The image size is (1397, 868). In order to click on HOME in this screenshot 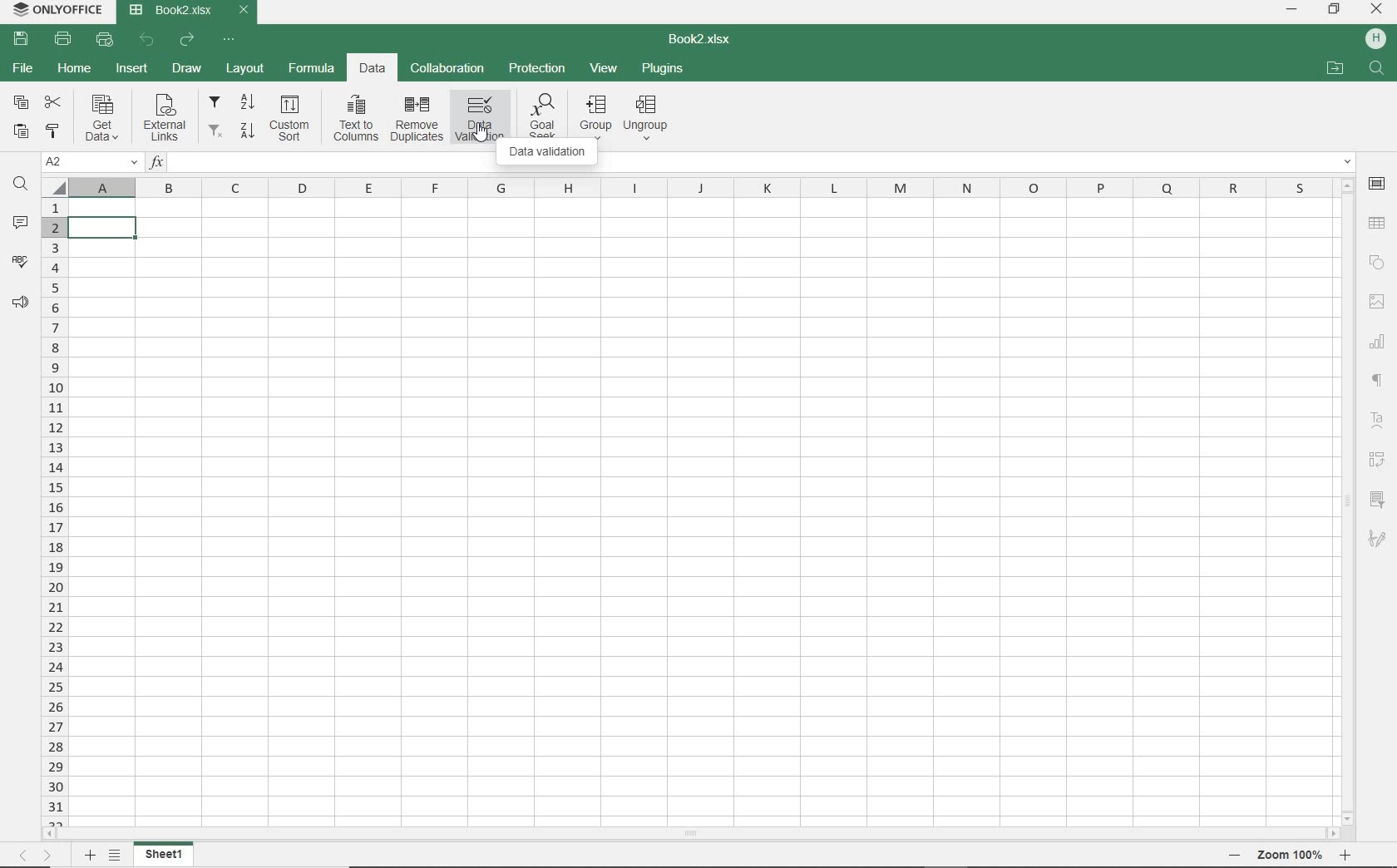, I will do `click(76, 70)`.